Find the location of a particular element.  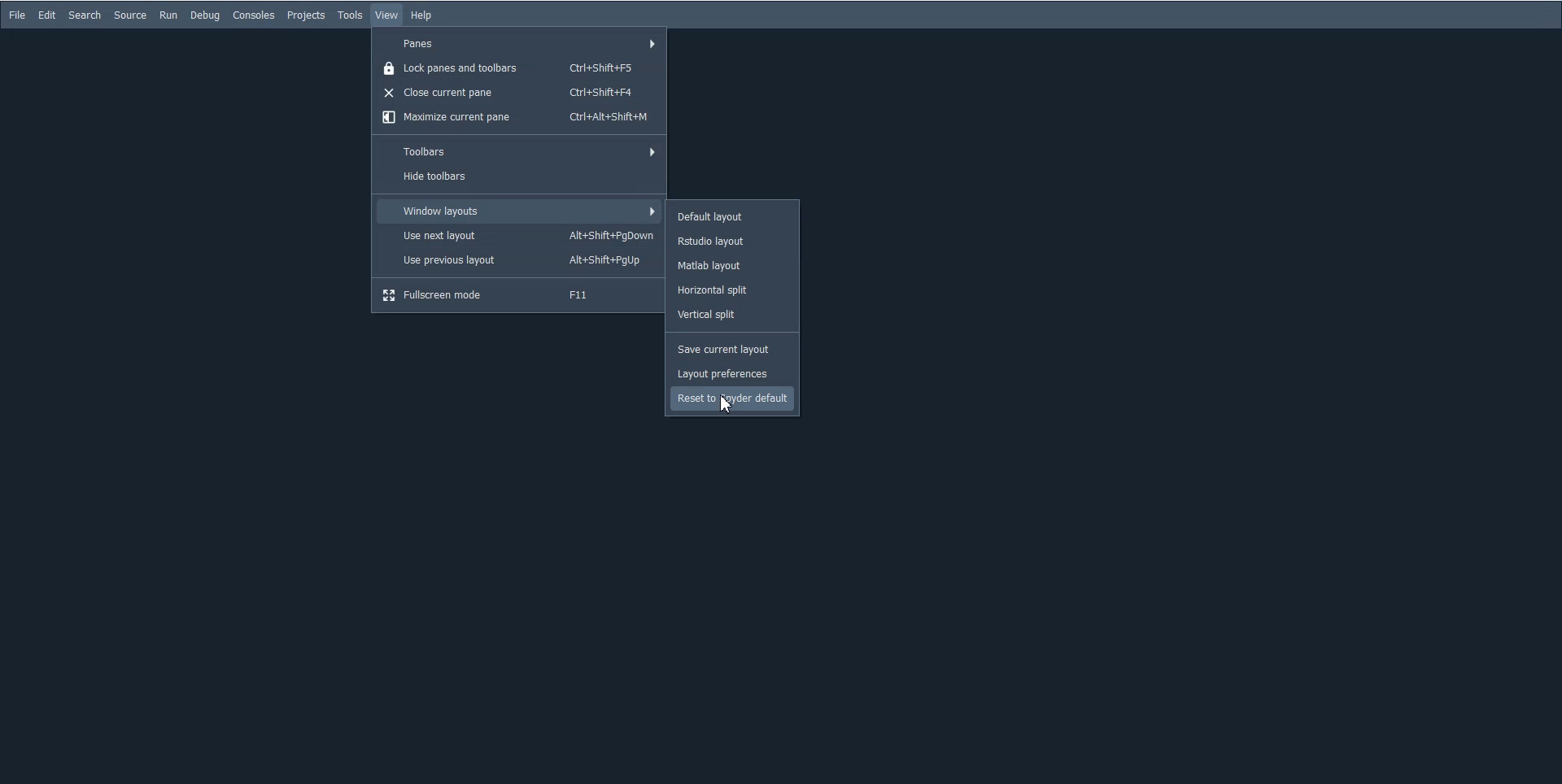

Tools is located at coordinates (351, 15).